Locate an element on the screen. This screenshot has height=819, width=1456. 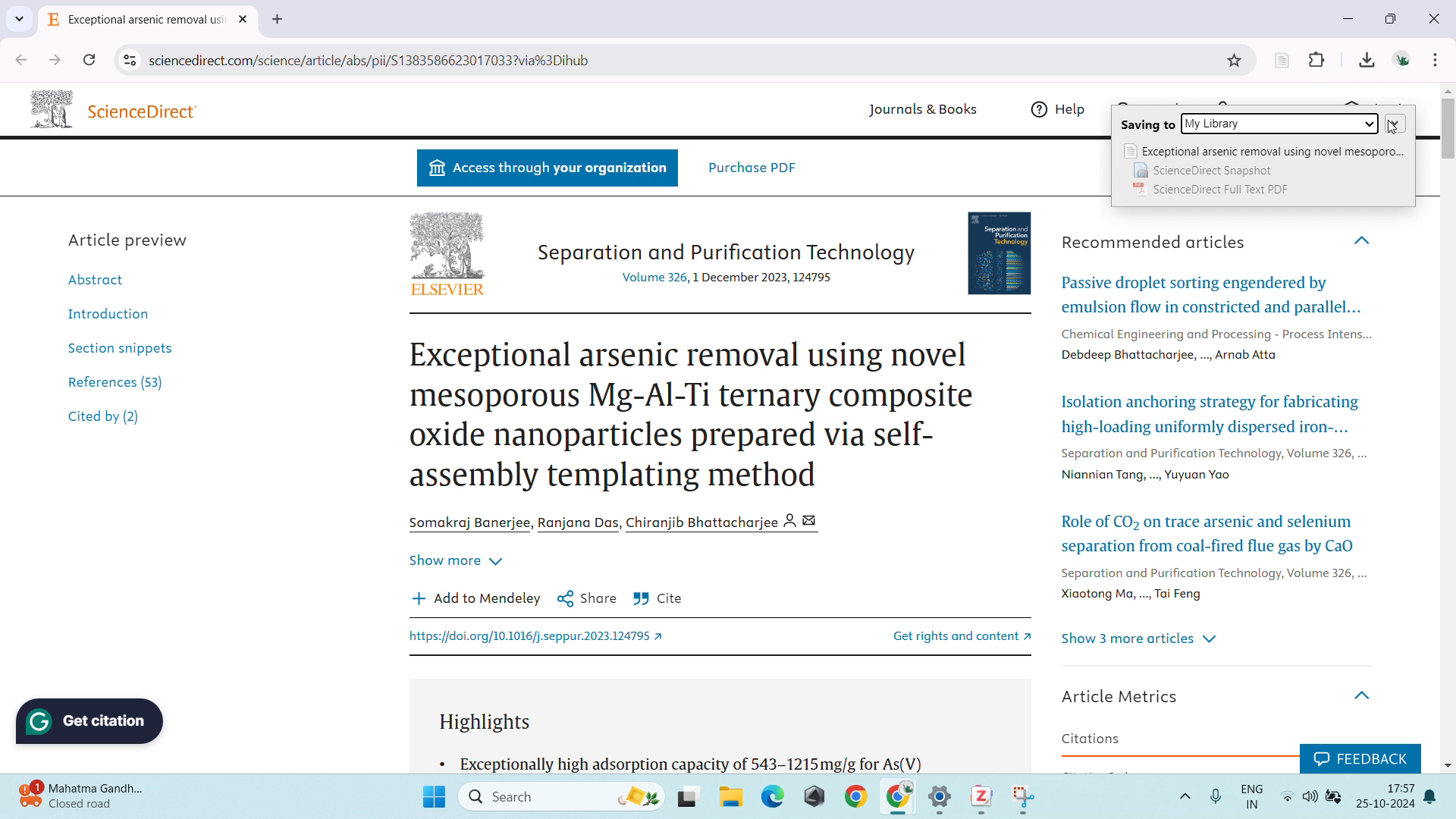
Show 3 more articles  is located at coordinates (1141, 639).